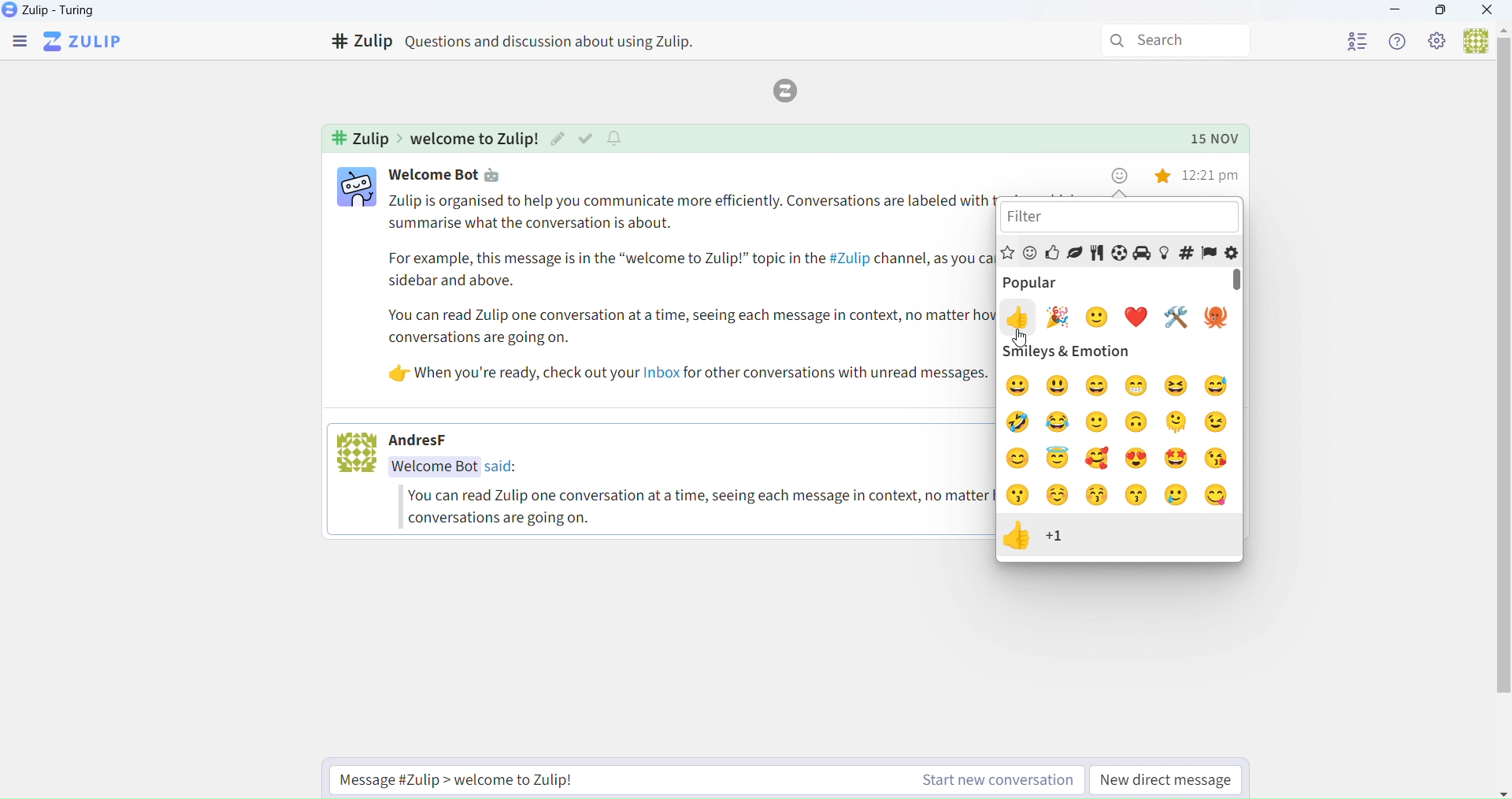 The image size is (1512, 799). Describe the element at coordinates (1120, 176) in the screenshot. I see `emoji` at that location.